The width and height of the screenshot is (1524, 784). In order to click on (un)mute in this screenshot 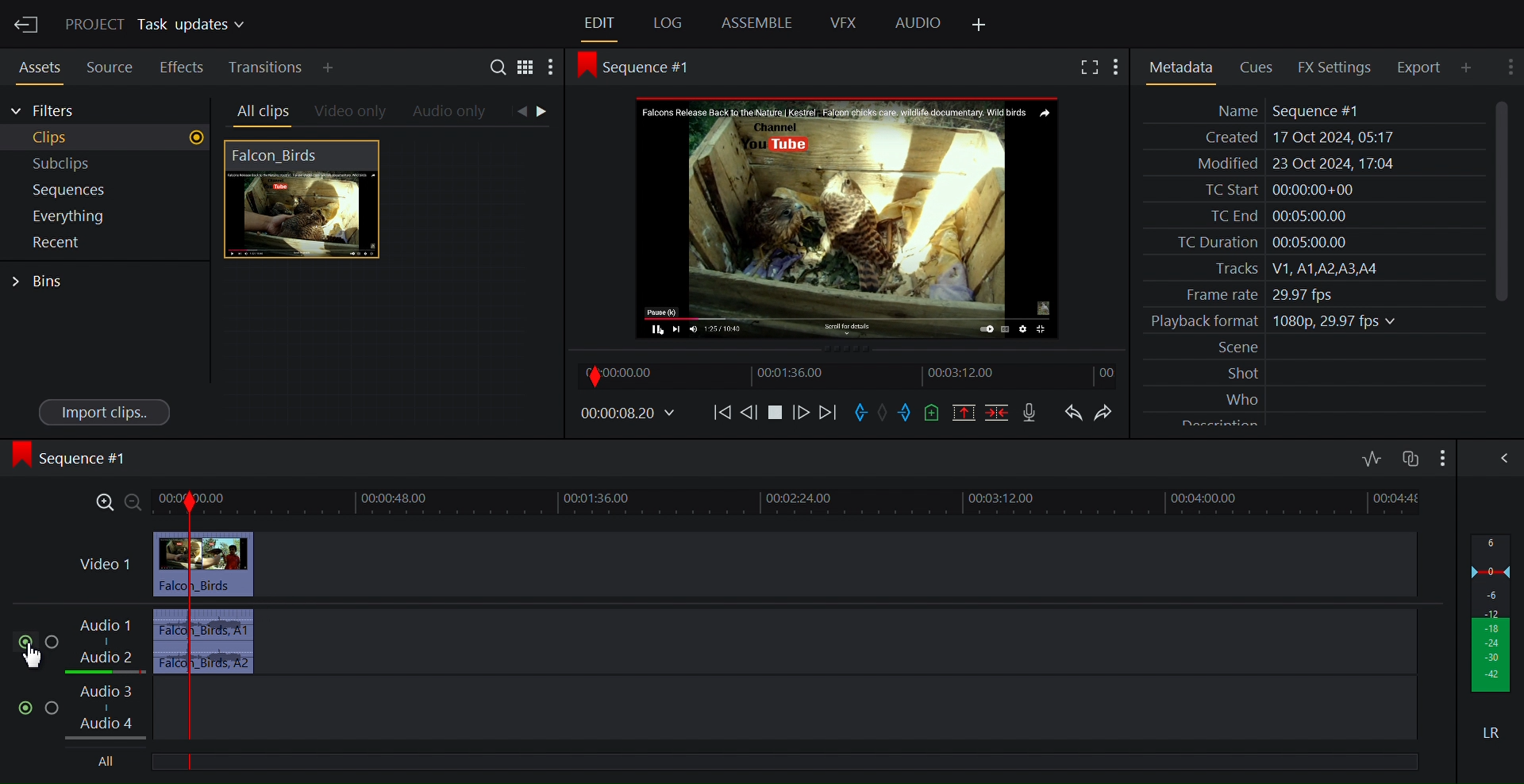, I will do `click(27, 708)`.